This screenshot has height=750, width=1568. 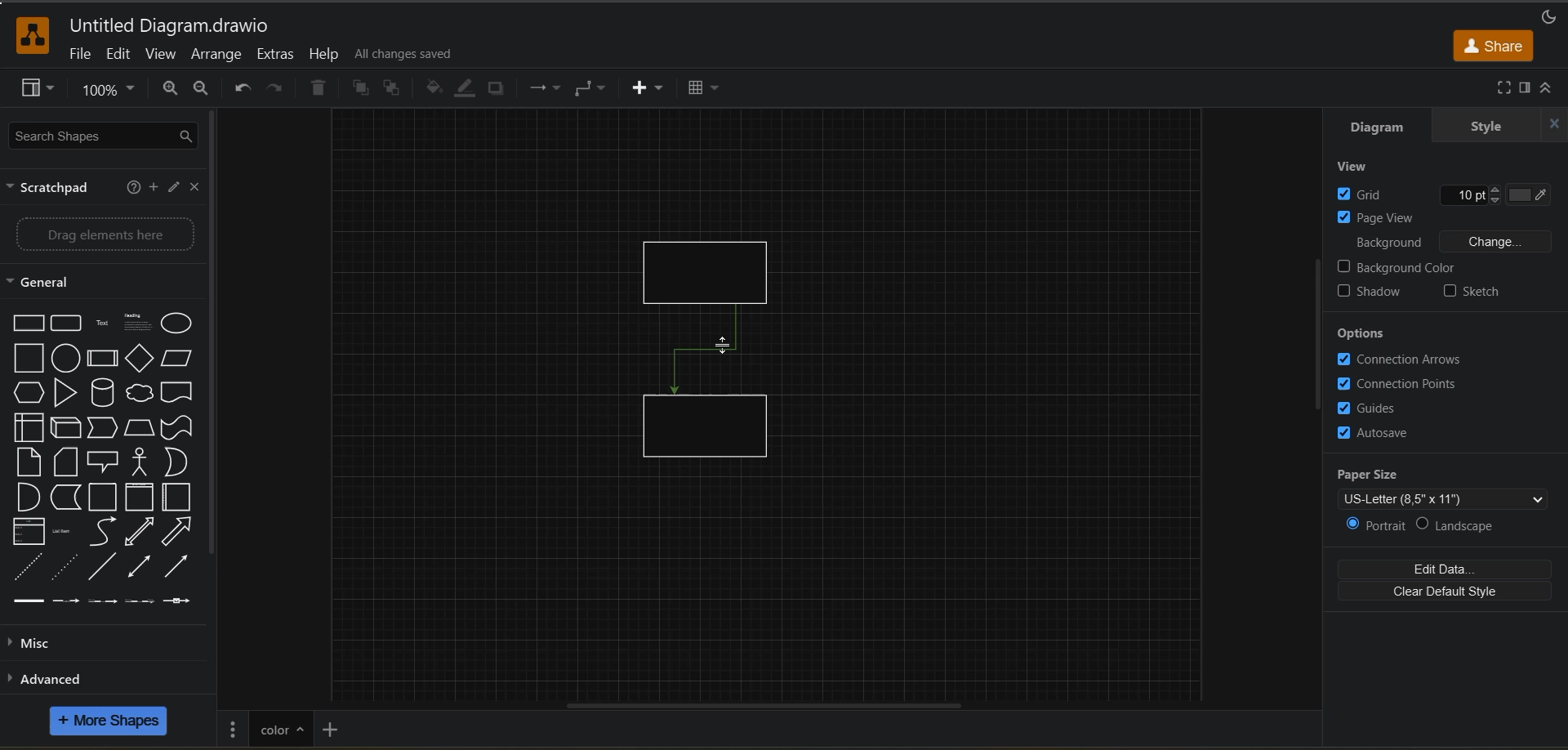 I want to click on Data Storage, so click(x=67, y=498).